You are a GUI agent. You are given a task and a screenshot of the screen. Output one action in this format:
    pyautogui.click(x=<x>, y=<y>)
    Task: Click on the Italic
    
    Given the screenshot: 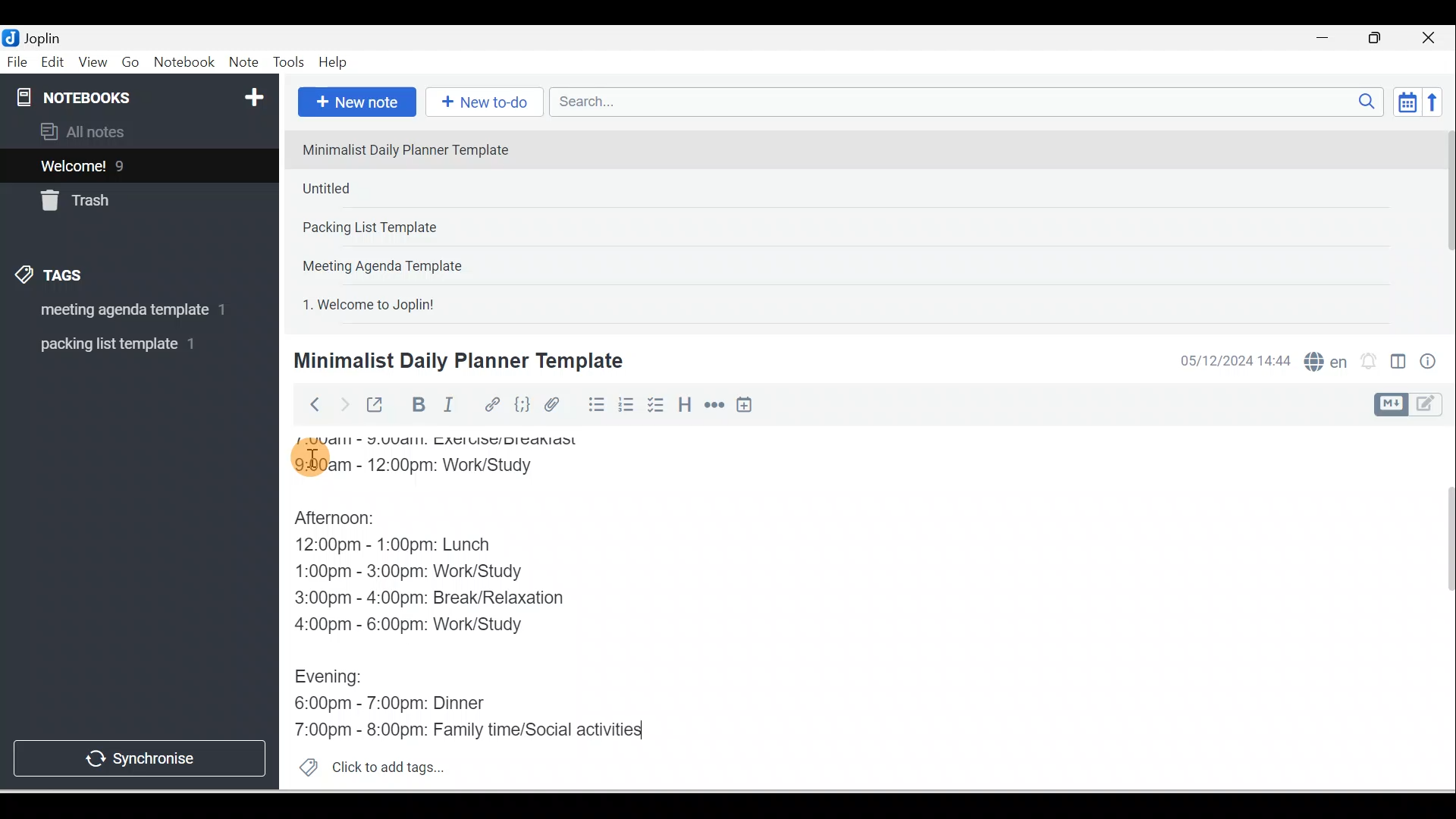 What is the action you would take?
    pyautogui.click(x=451, y=407)
    